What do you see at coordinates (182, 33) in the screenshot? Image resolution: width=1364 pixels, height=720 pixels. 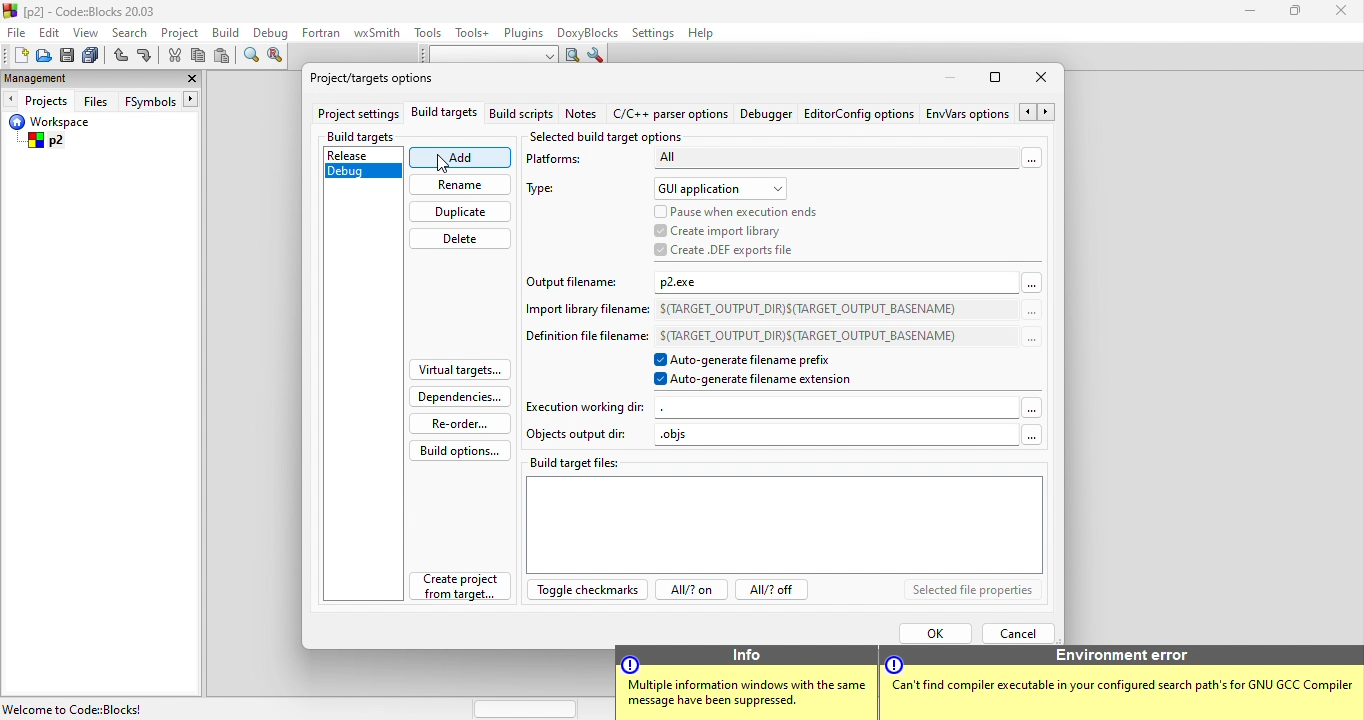 I see `project` at bounding box center [182, 33].